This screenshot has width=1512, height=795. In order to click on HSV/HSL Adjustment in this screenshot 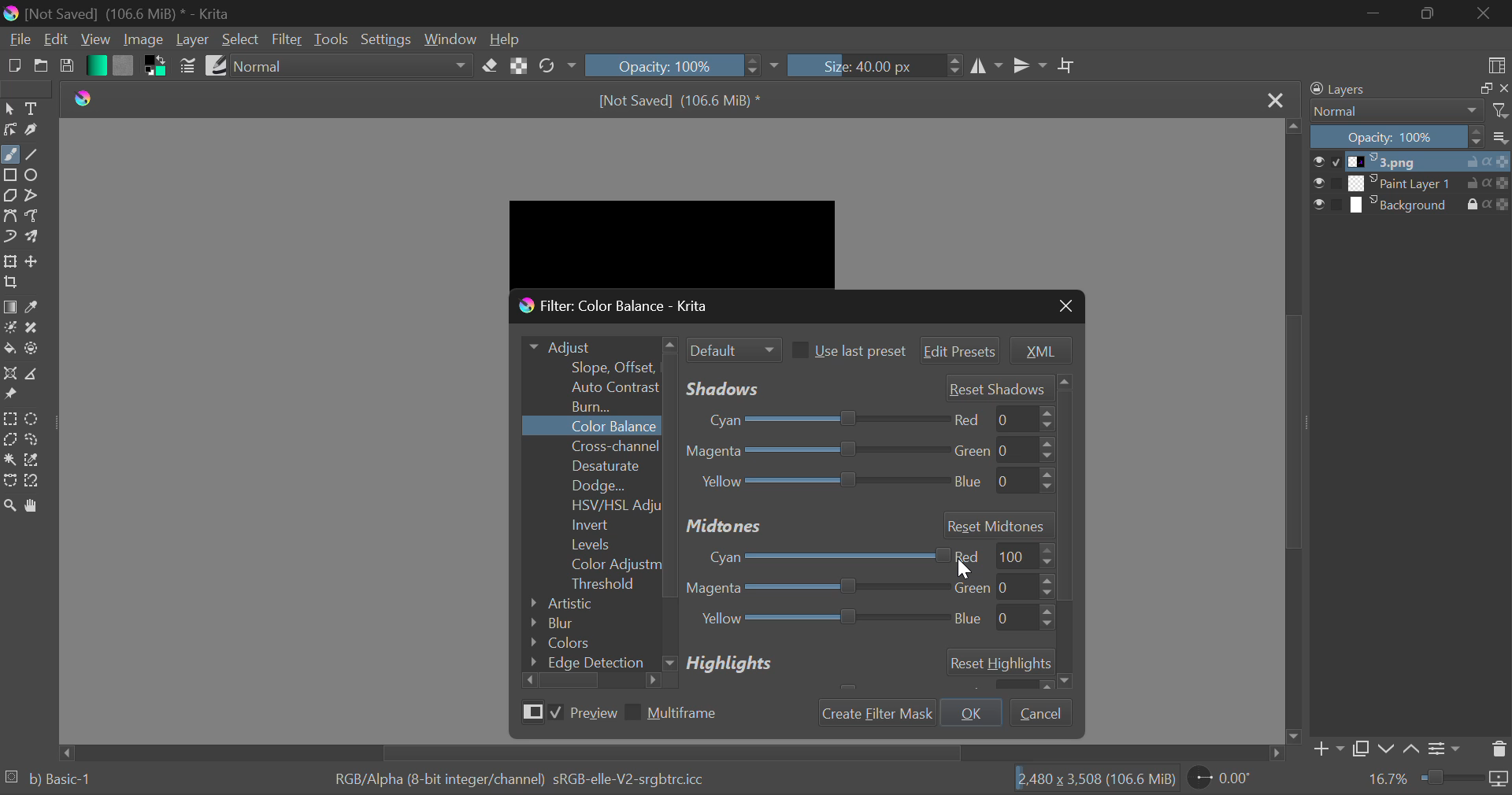, I will do `click(592, 505)`.